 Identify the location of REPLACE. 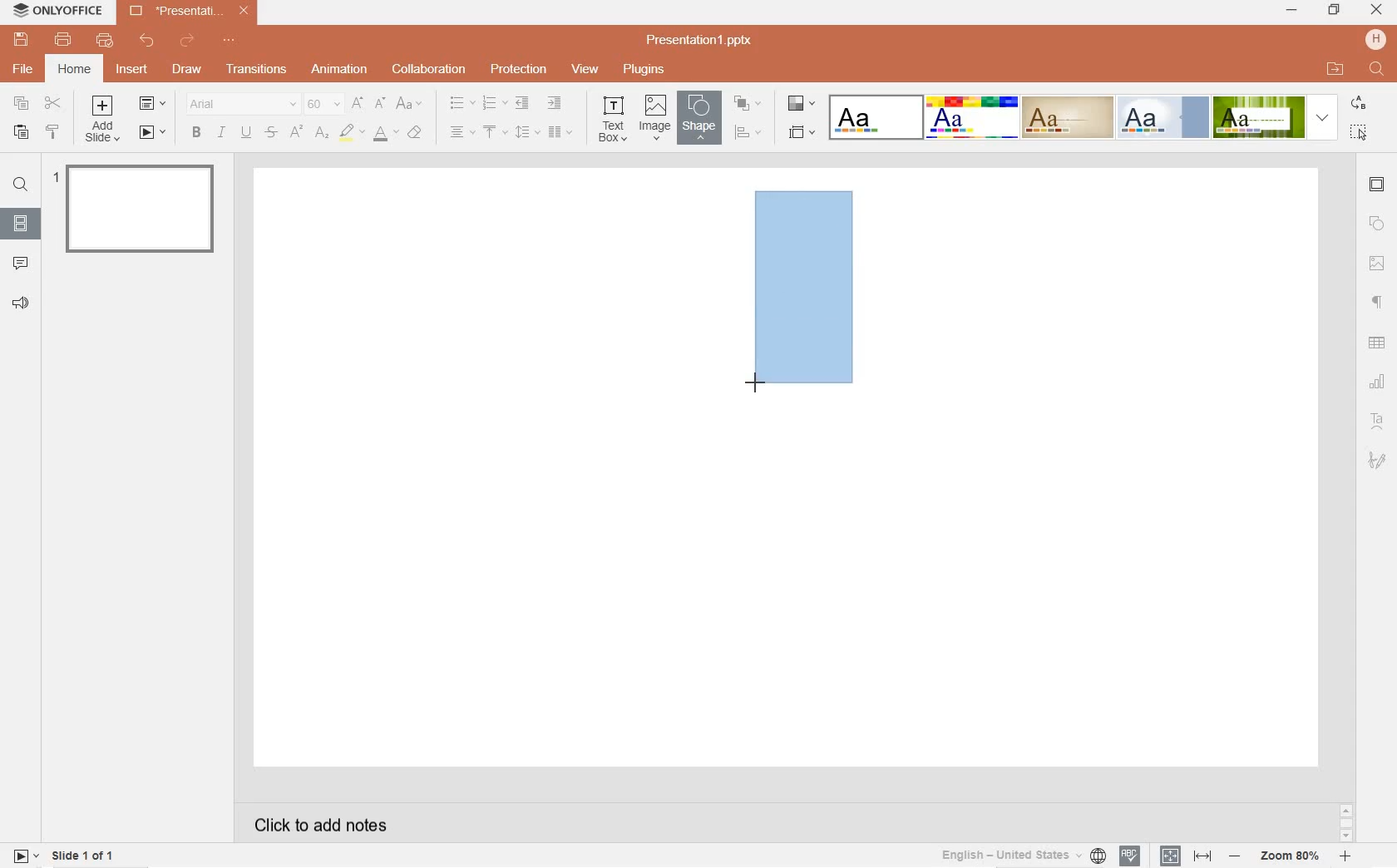
(1358, 104).